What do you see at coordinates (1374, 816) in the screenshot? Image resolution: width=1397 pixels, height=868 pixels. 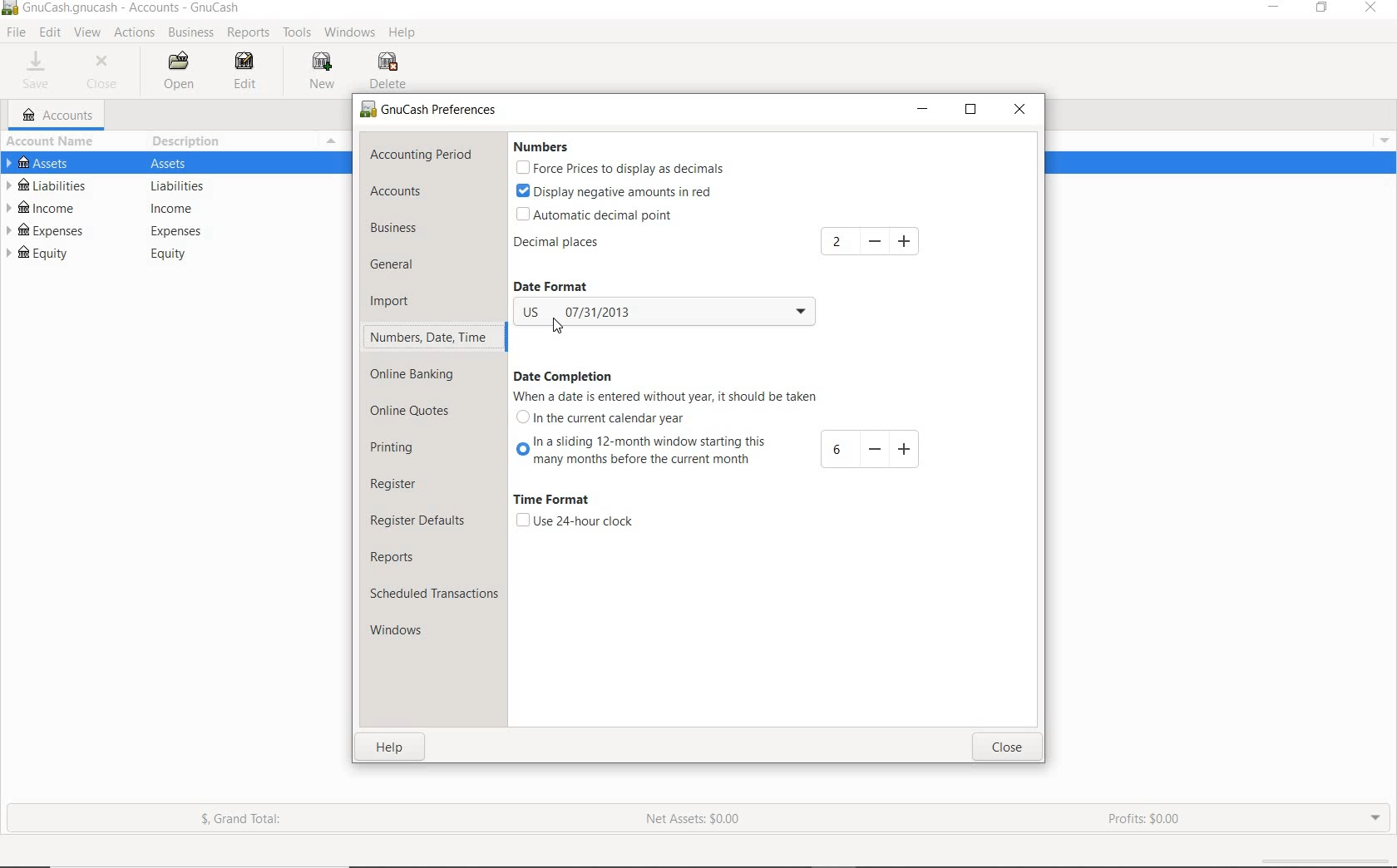 I see `EXPAND` at bounding box center [1374, 816].